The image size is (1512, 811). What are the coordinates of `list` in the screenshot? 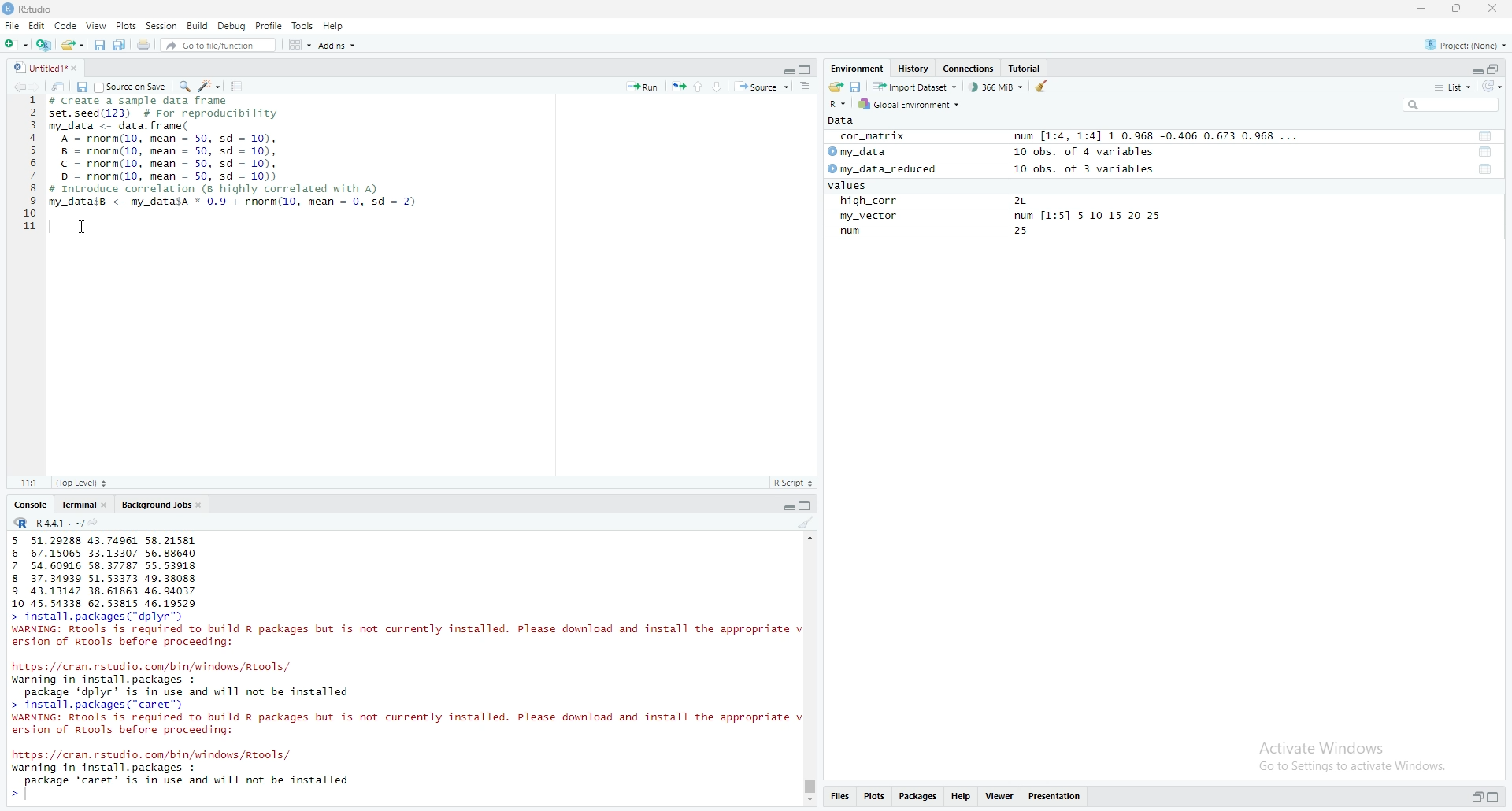 It's located at (1453, 87).